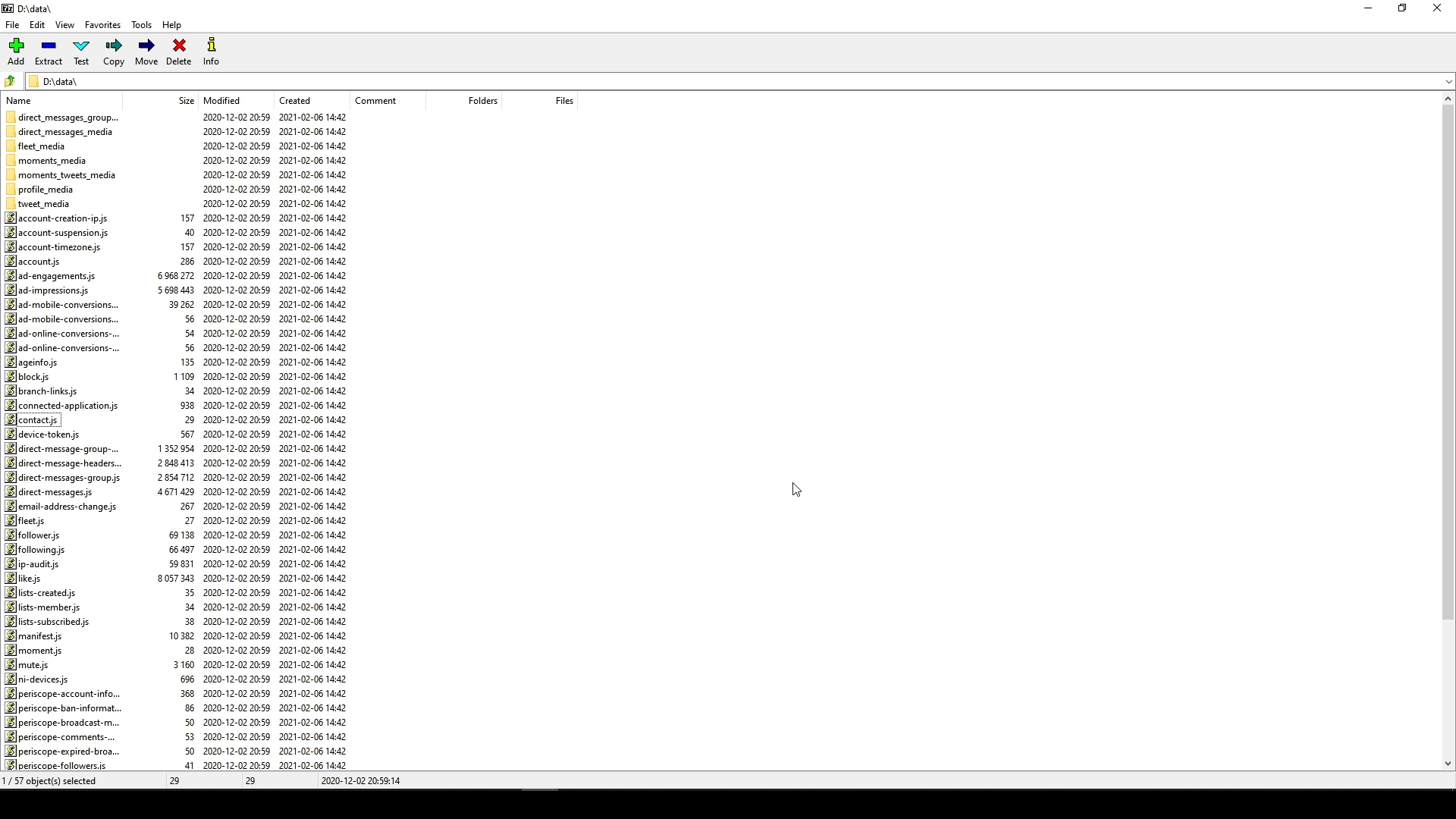 The image size is (1456, 819). Describe the element at coordinates (140, 26) in the screenshot. I see `Tools` at that location.